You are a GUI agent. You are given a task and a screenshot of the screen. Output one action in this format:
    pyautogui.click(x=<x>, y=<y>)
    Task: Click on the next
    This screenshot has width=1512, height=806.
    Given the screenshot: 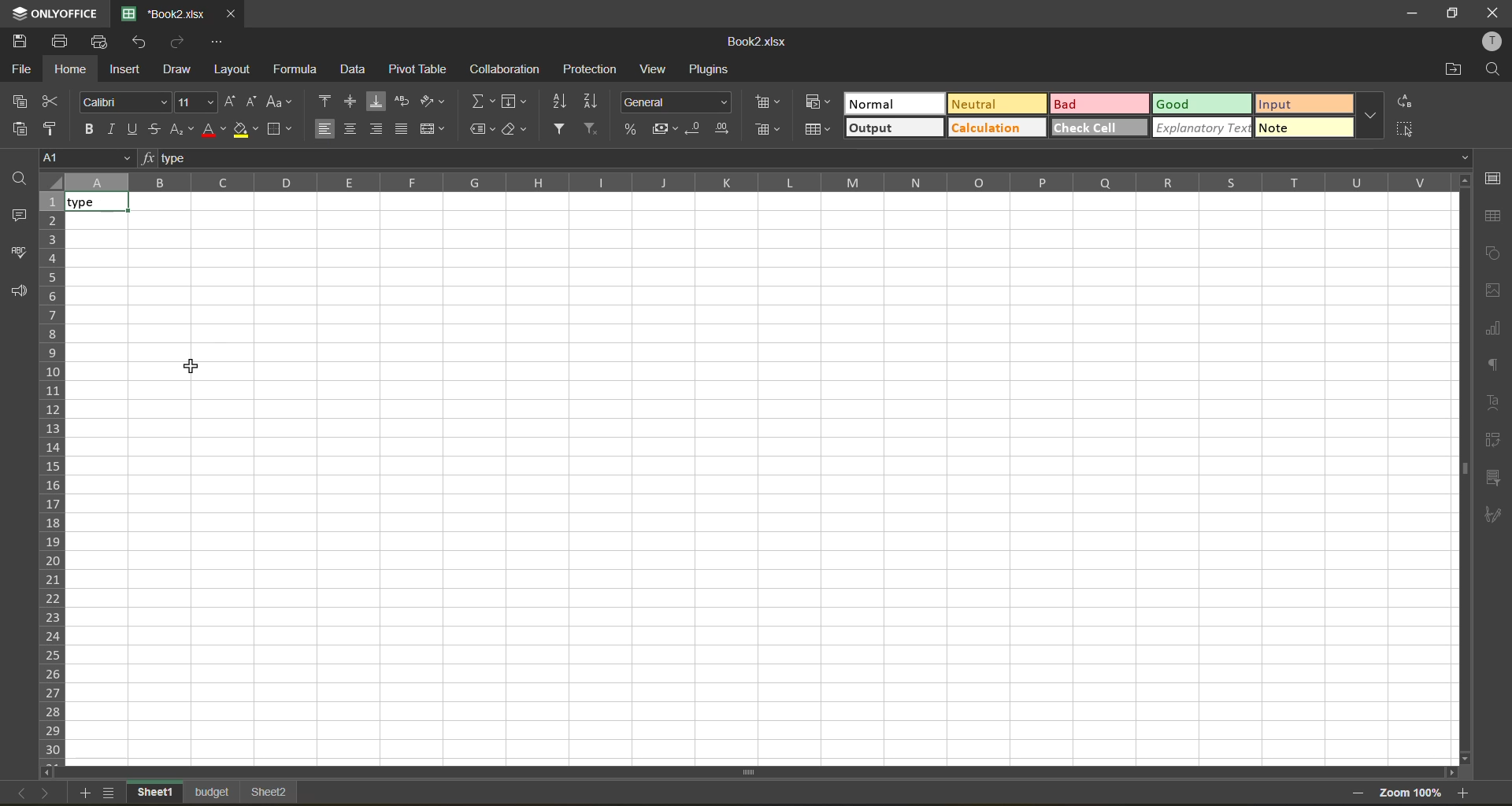 What is the action you would take?
    pyautogui.click(x=46, y=794)
    